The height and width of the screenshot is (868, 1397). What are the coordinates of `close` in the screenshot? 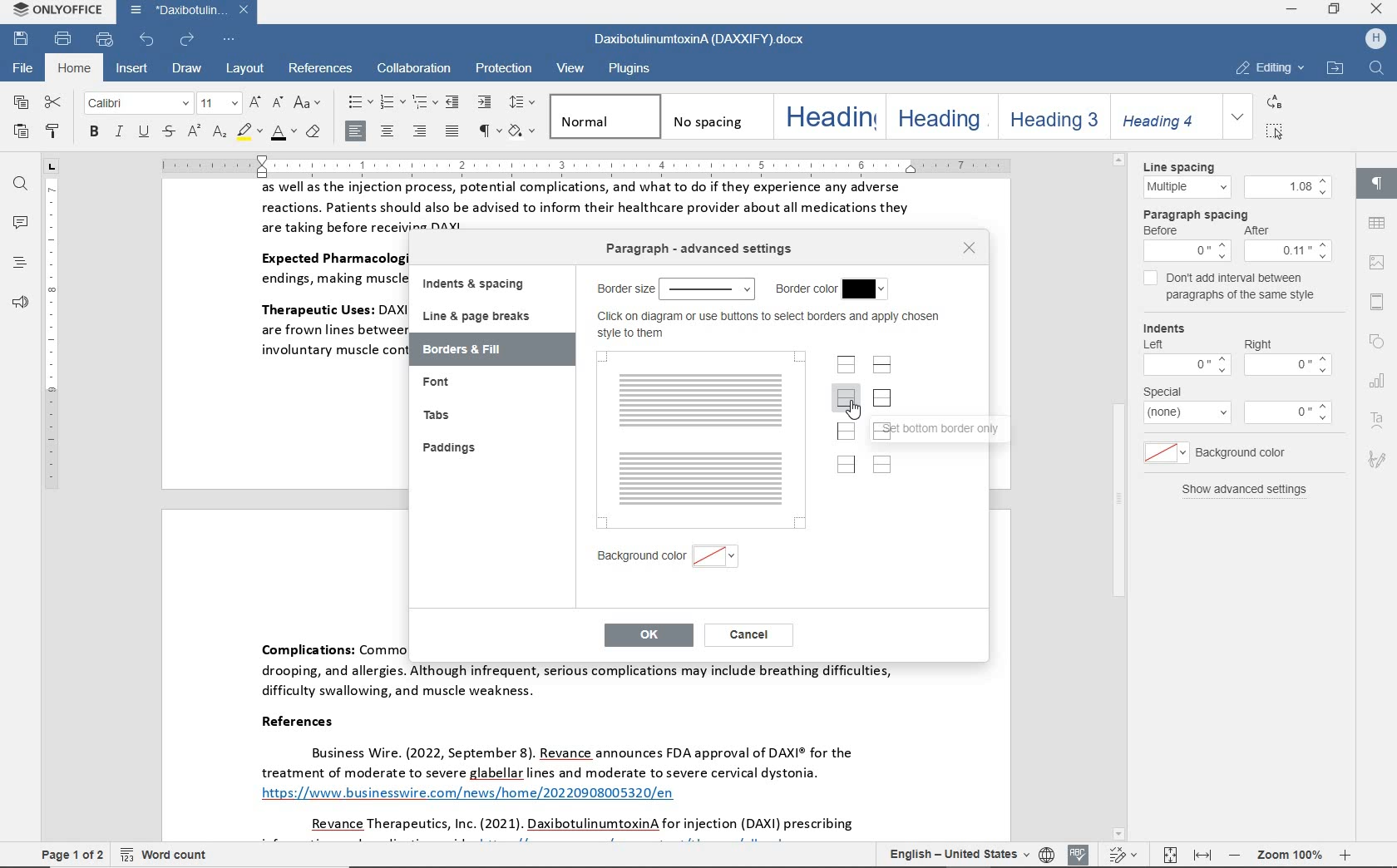 It's located at (970, 249).